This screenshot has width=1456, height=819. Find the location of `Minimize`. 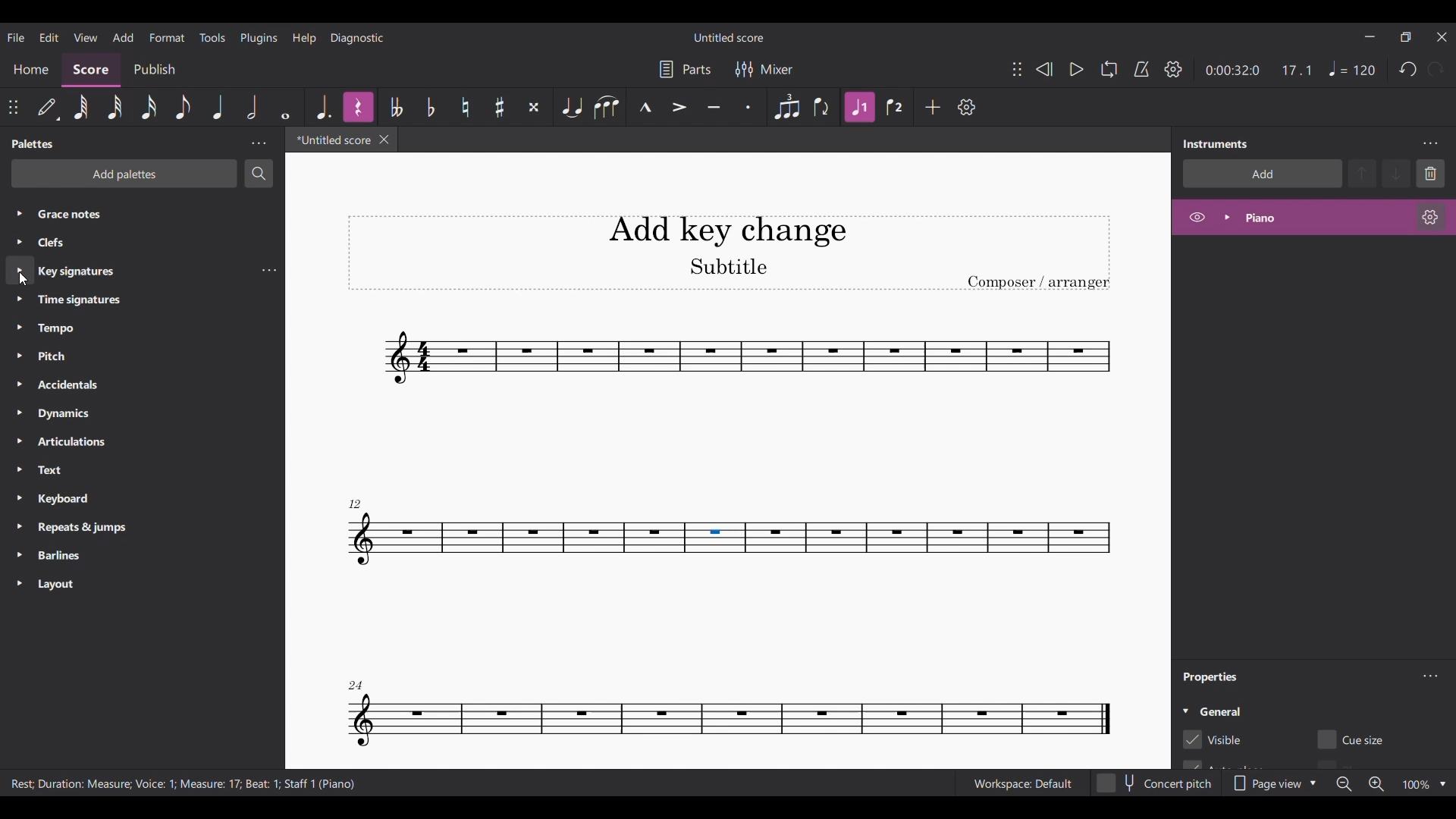

Minimize is located at coordinates (1370, 36).